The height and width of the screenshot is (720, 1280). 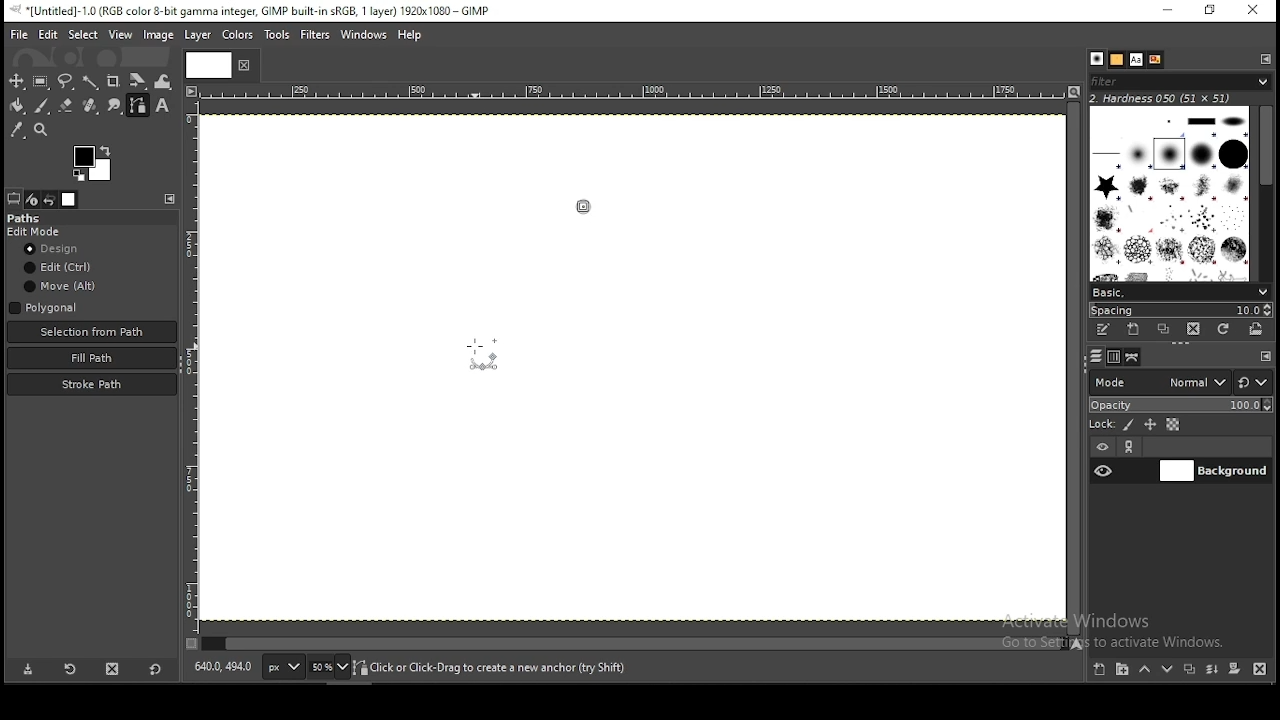 What do you see at coordinates (138, 81) in the screenshot?
I see `shear tool` at bounding box center [138, 81].